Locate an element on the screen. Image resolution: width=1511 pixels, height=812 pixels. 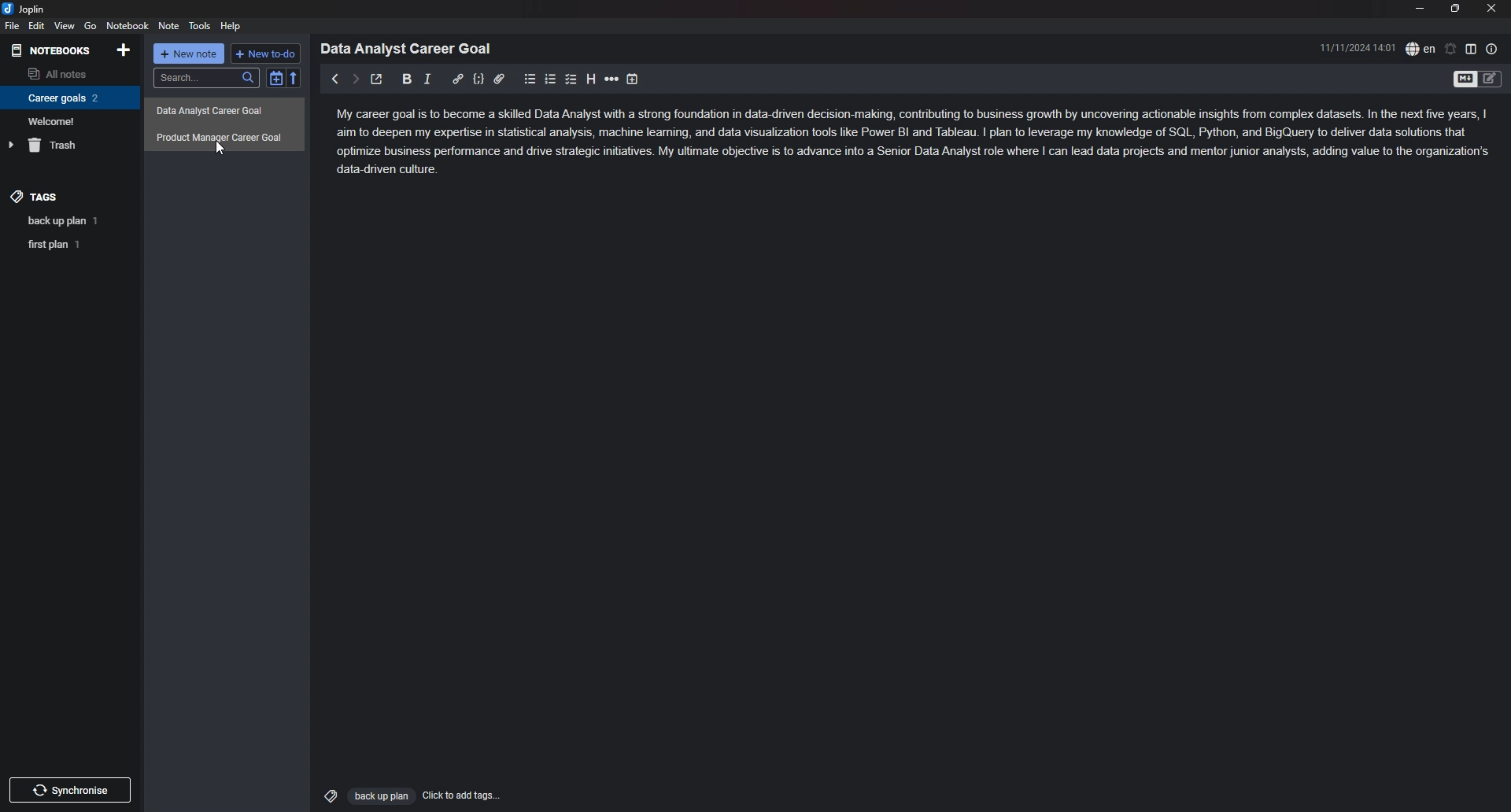
resize is located at coordinates (1456, 8).